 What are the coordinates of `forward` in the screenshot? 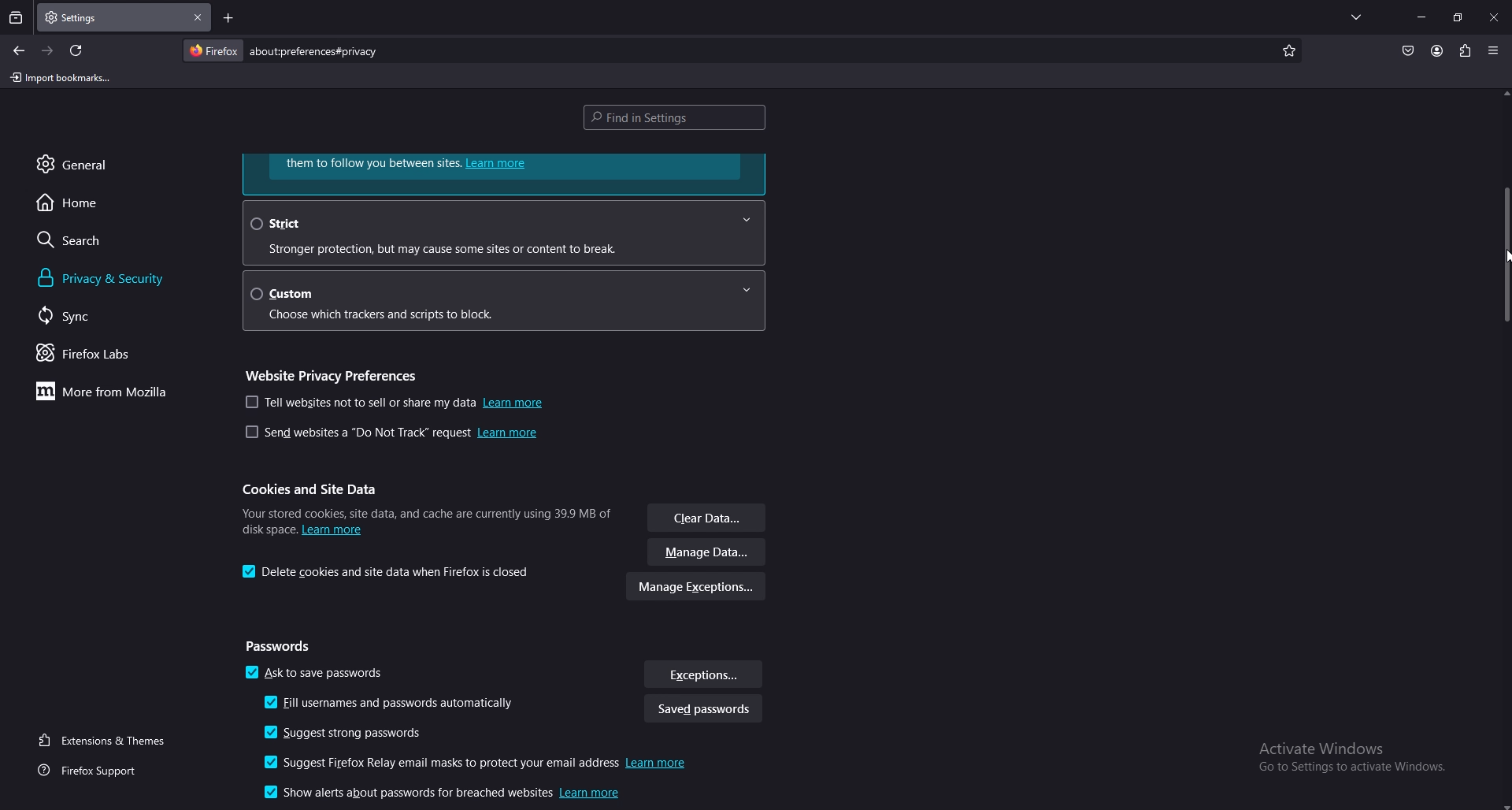 It's located at (49, 51).